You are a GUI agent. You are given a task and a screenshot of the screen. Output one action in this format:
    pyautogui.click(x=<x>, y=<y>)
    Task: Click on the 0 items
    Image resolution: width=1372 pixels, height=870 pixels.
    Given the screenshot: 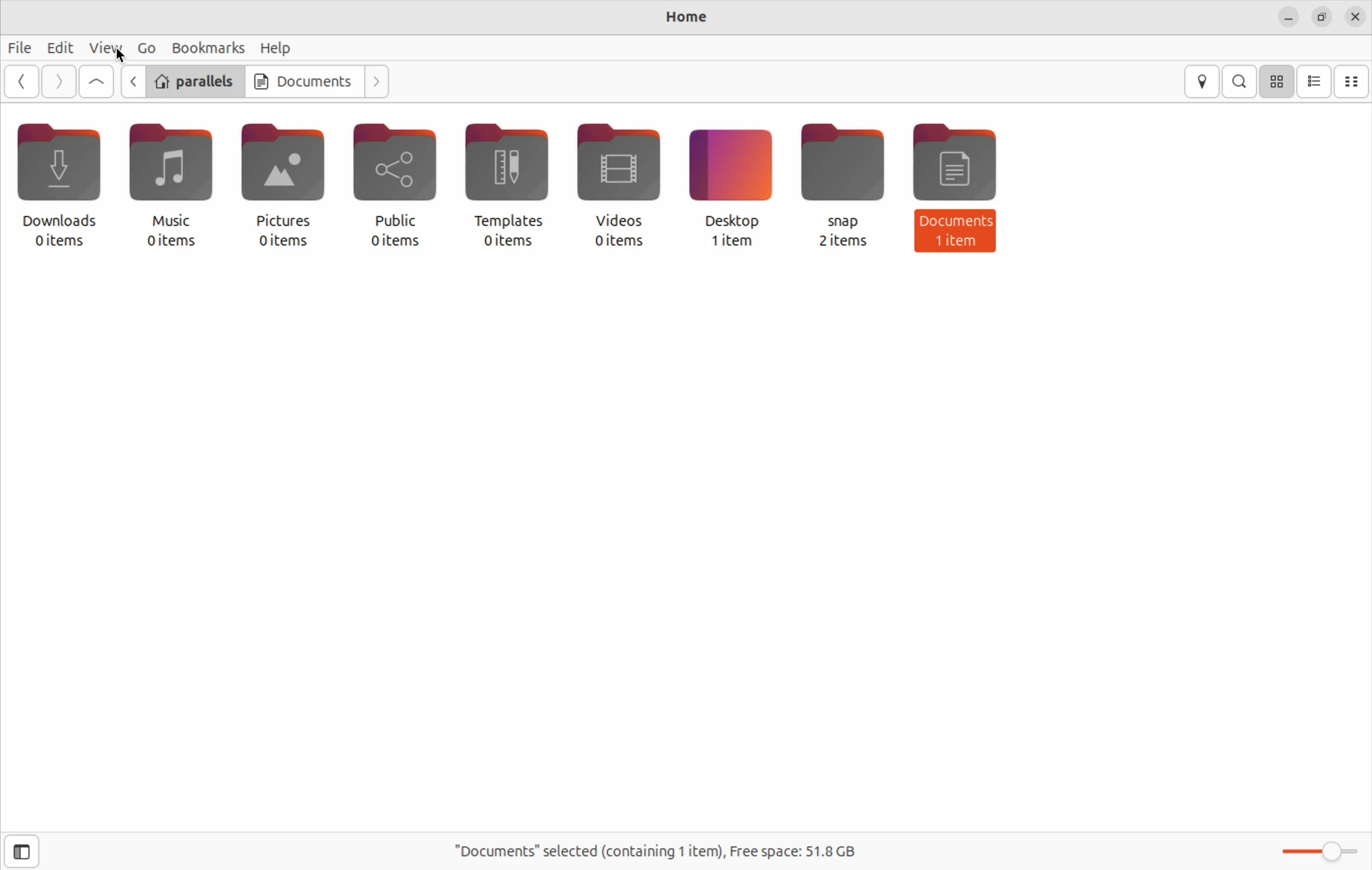 What is the action you would take?
    pyautogui.click(x=399, y=246)
    